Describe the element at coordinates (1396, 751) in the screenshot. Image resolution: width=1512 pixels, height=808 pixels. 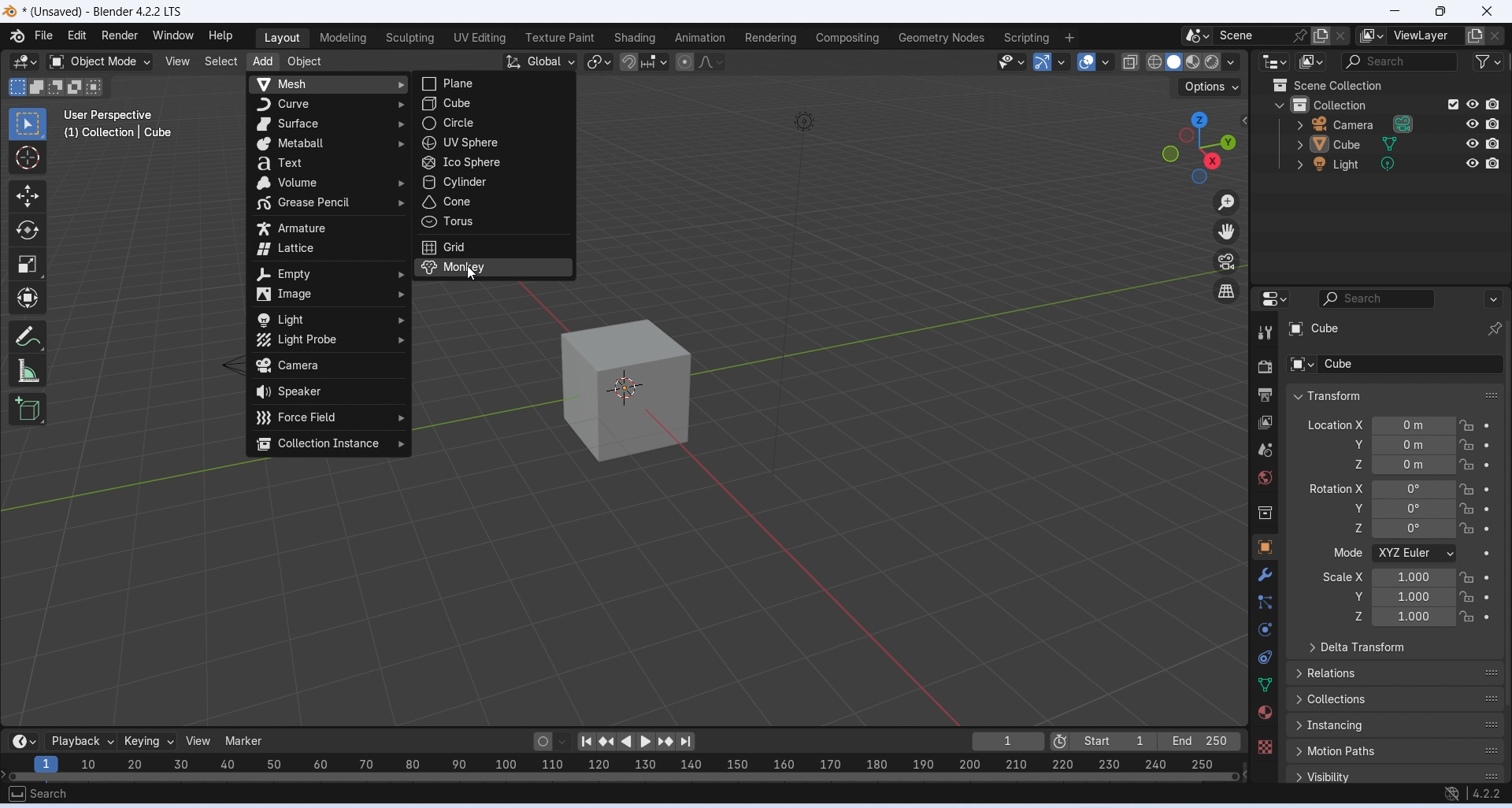
I see `motion paths` at that location.